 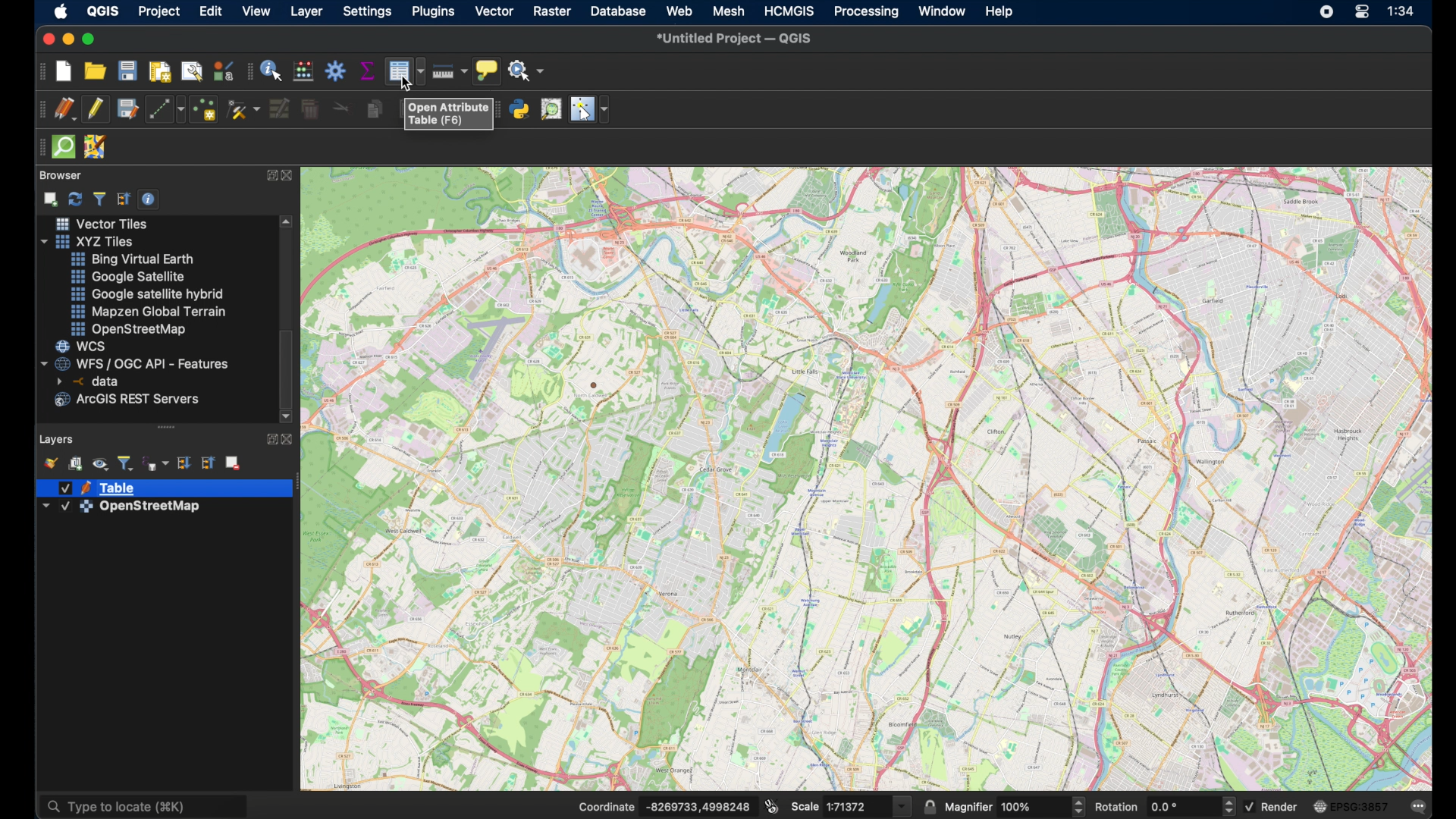 What do you see at coordinates (221, 69) in the screenshot?
I see `style manager` at bounding box center [221, 69].